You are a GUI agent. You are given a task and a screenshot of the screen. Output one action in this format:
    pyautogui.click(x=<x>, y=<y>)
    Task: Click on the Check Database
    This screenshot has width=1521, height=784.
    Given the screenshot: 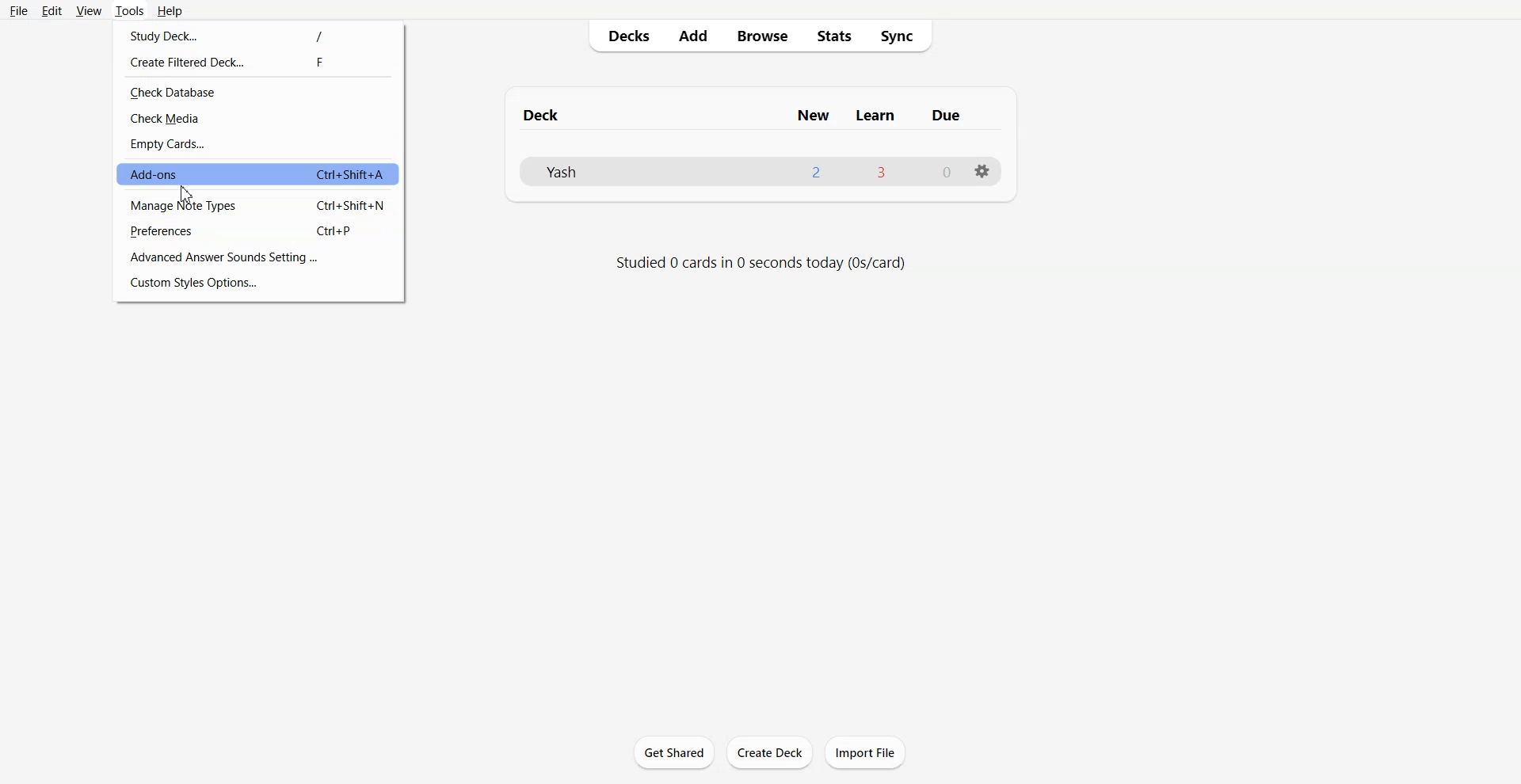 What is the action you would take?
    pyautogui.click(x=257, y=91)
    